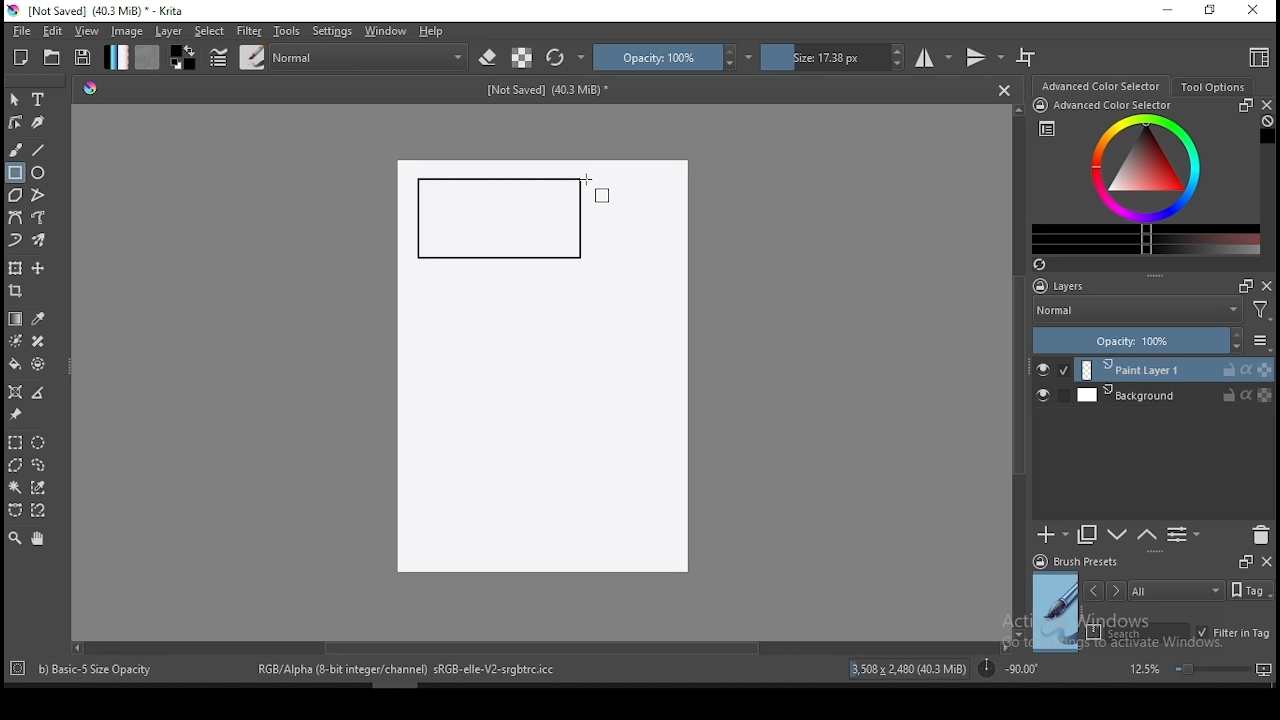  What do you see at coordinates (18, 293) in the screenshot?
I see `crop tool` at bounding box center [18, 293].